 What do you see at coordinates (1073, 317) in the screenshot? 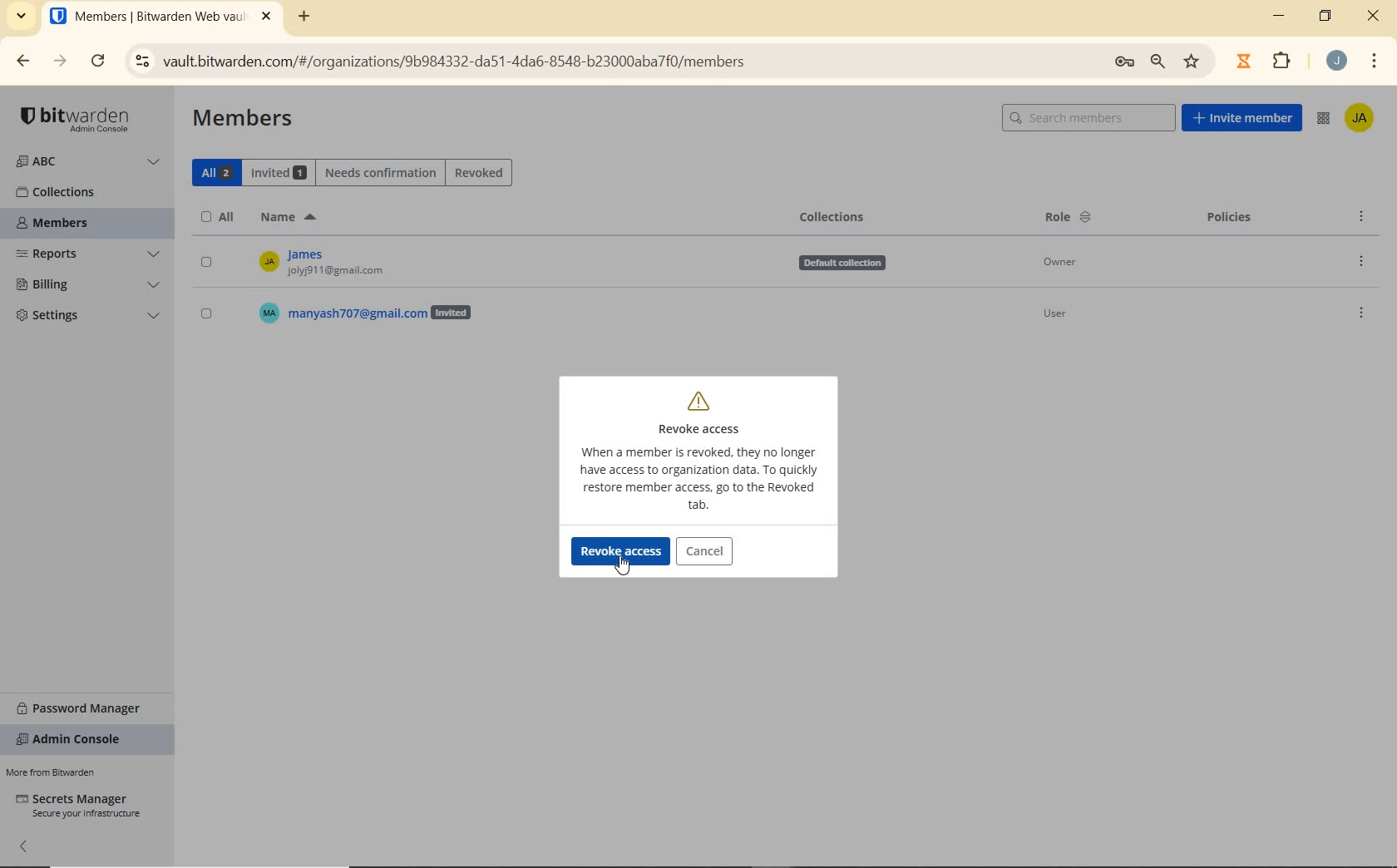
I see `User` at bounding box center [1073, 317].